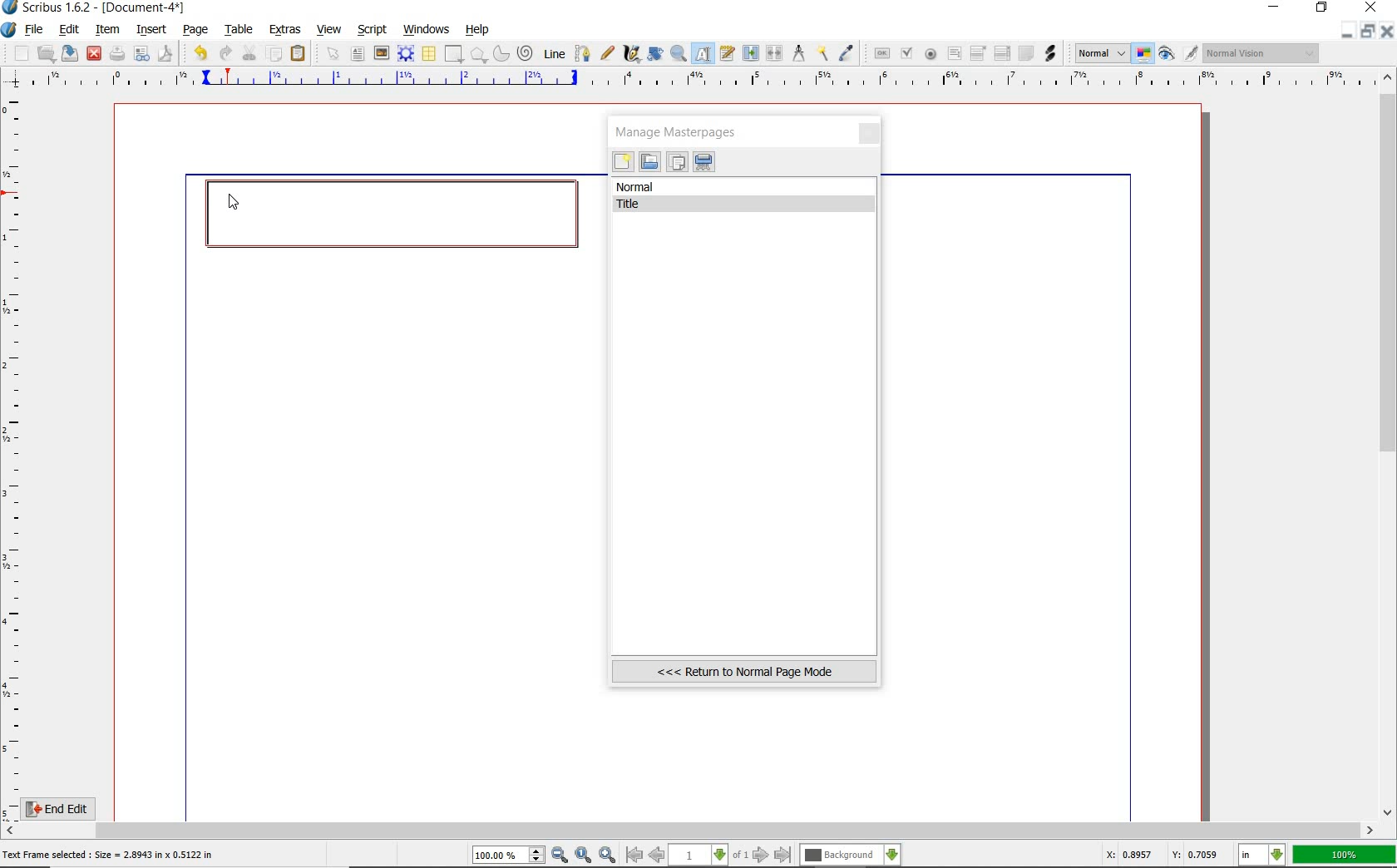  What do you see at coordinates (679, 53) in the screenshot?
I see `zoom in or zoom out` at bounding box center [679, 53].